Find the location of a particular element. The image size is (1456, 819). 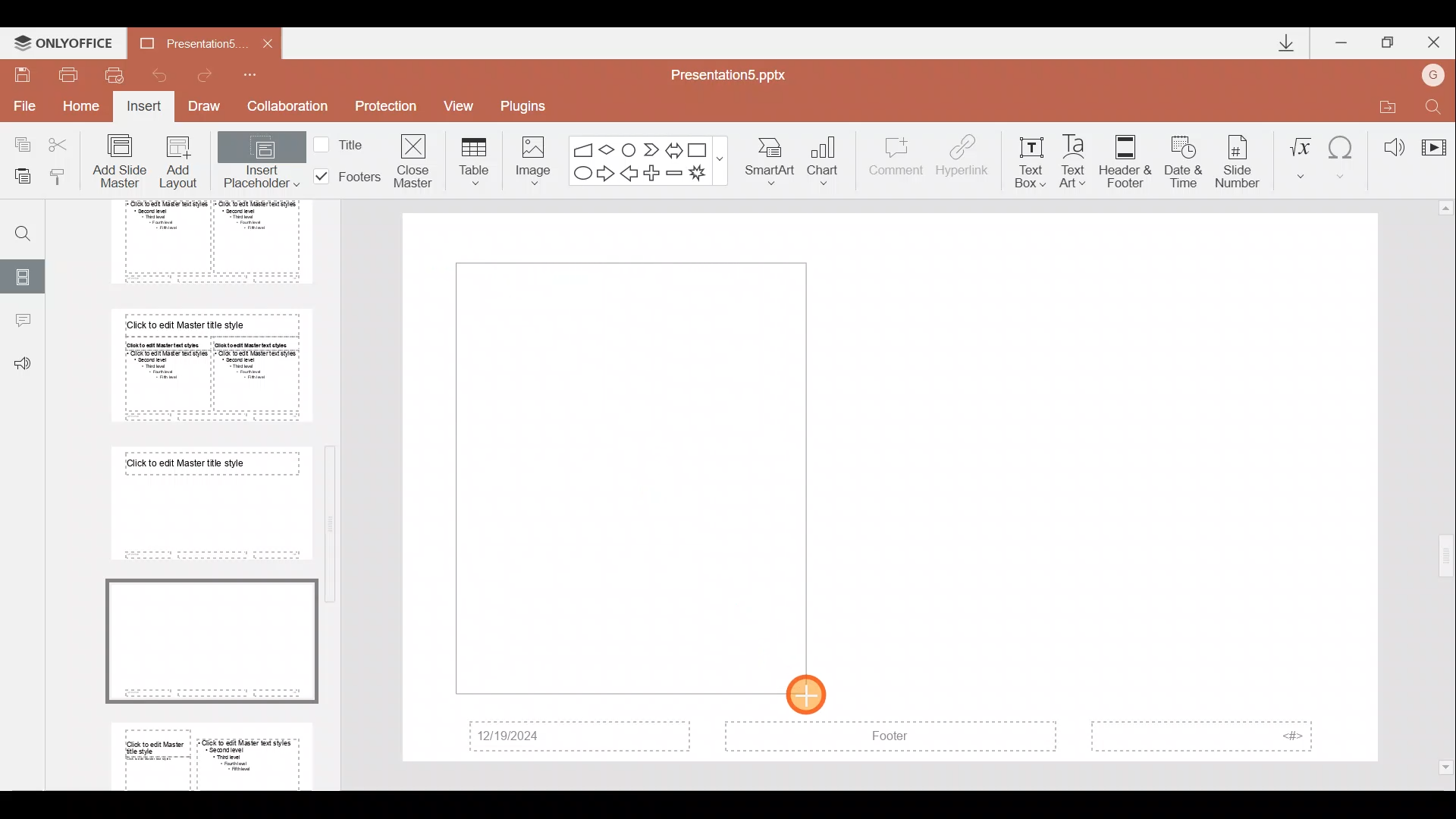

Close is located at coordinates (1436, 39).